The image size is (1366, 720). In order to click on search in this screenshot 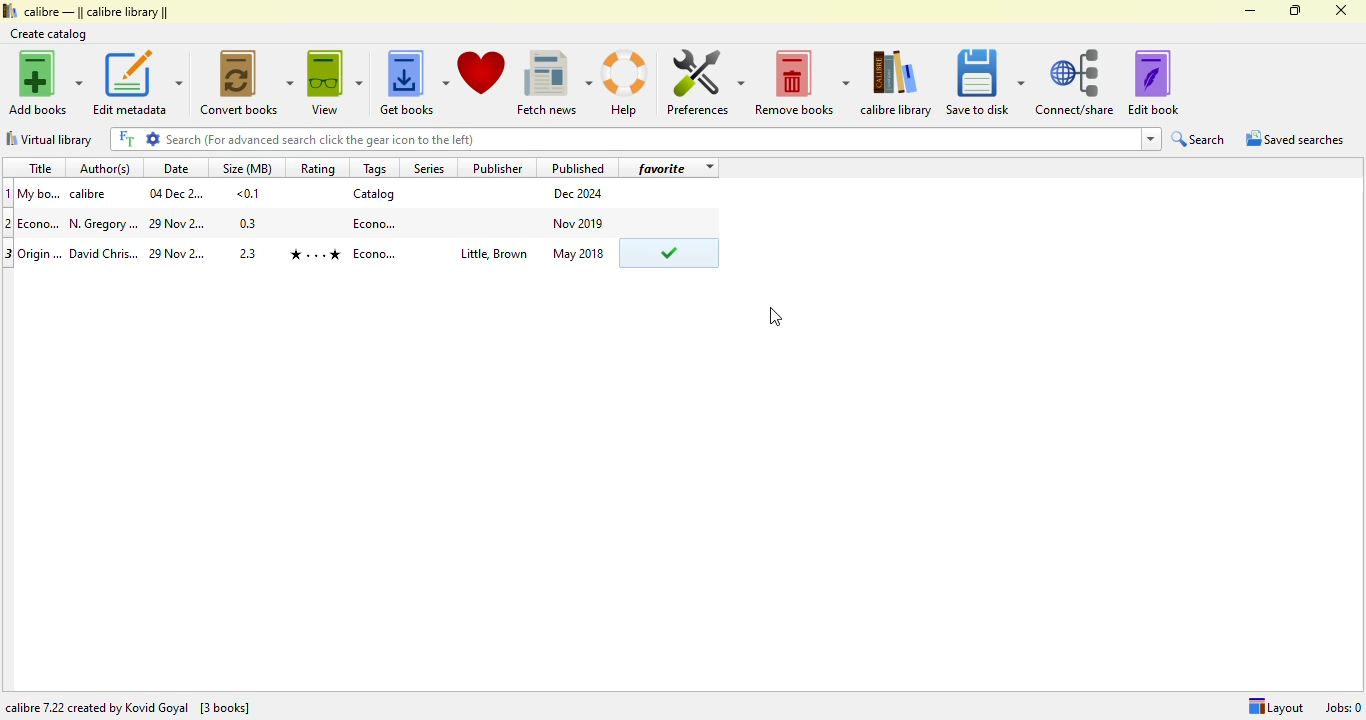, I will do `click(650, 139)`.